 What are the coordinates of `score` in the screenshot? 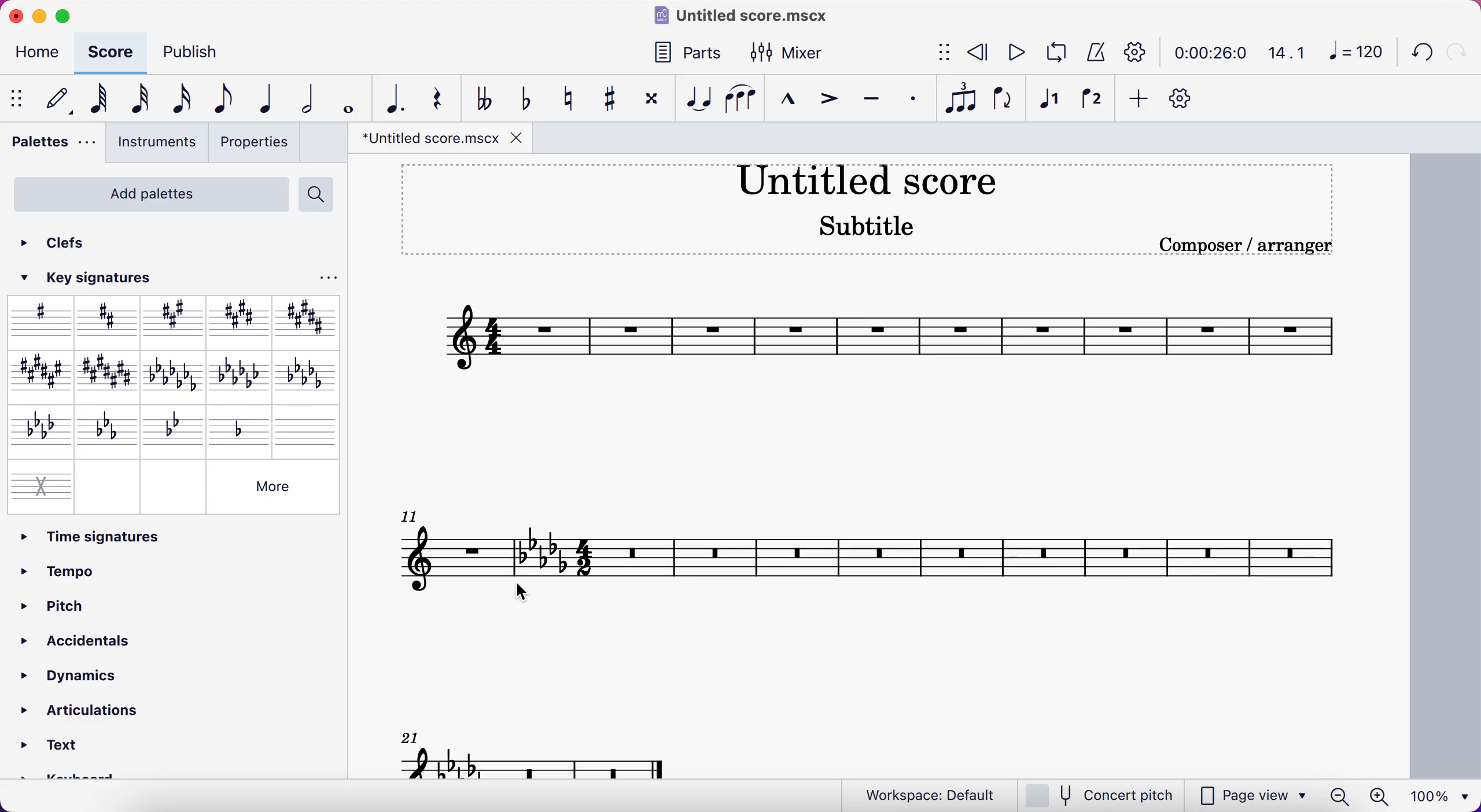 It's located at (967, 551).